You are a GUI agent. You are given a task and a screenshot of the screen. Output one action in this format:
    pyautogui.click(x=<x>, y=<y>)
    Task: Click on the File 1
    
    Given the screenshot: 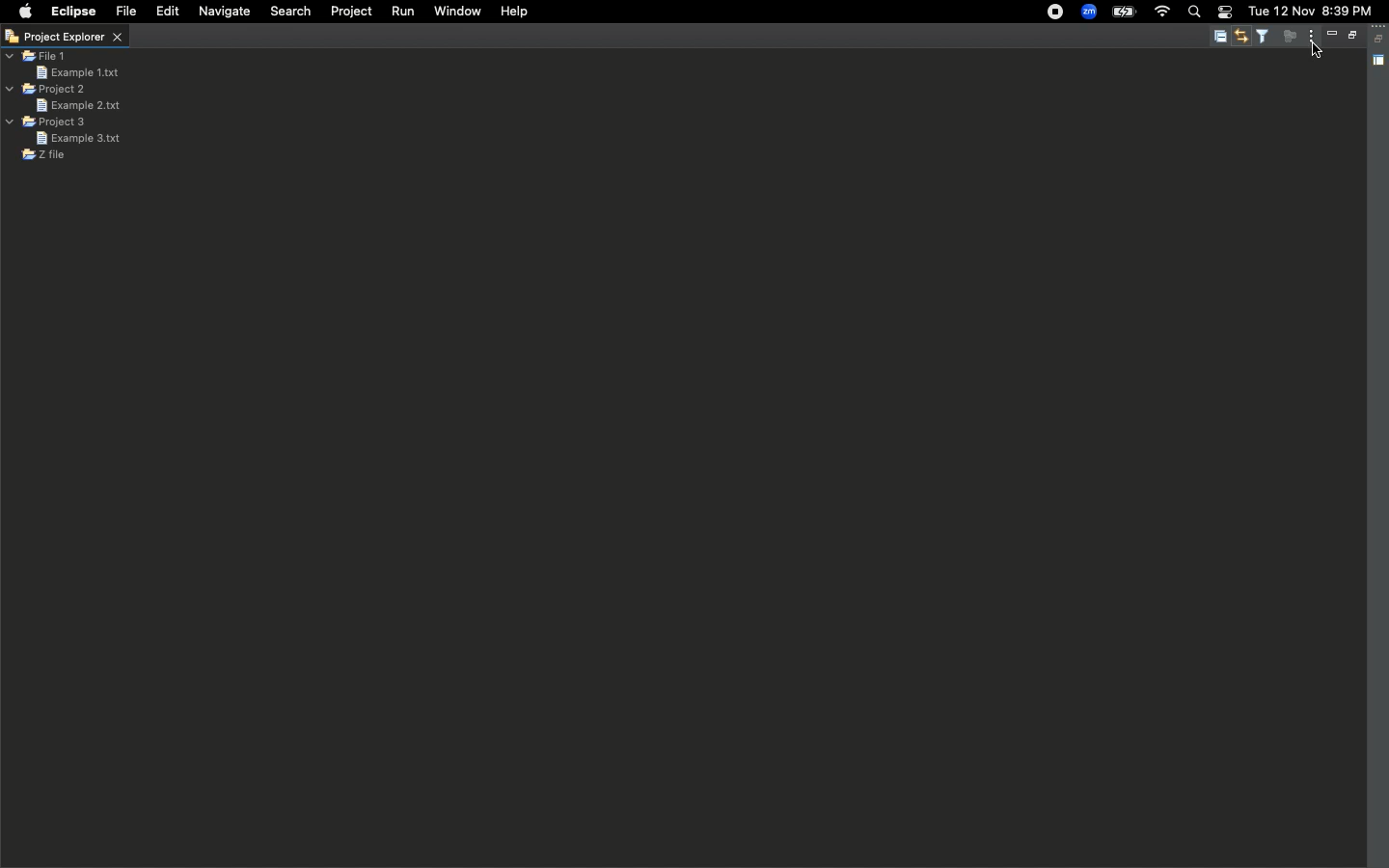 What is the action you would take?
    pyautogui.click(x=38, y=57)
    